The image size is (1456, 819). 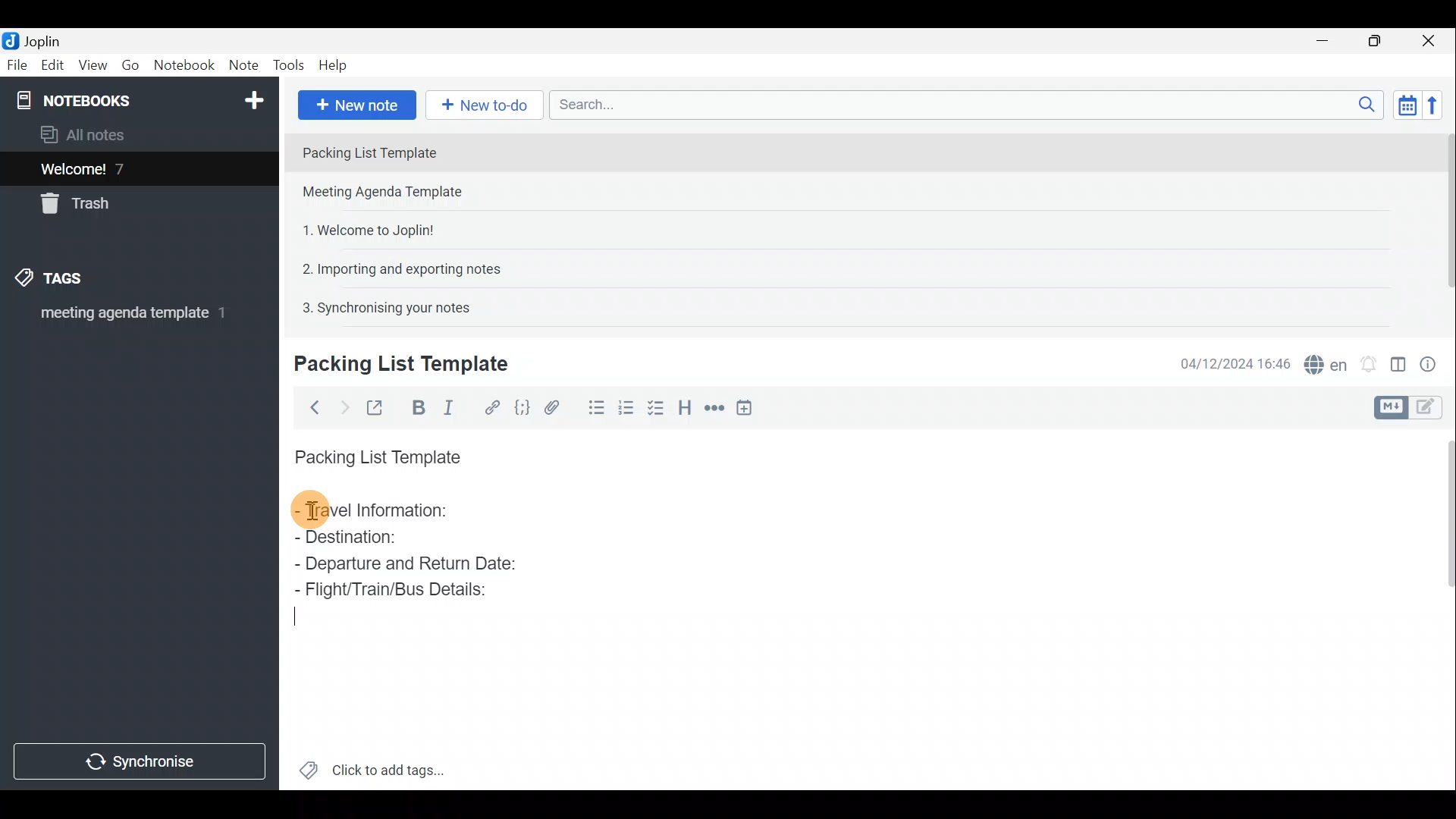 What do you see at coordinates (131, 65) in the screenshot?
I see `Go` at bounding box center [131, 65].